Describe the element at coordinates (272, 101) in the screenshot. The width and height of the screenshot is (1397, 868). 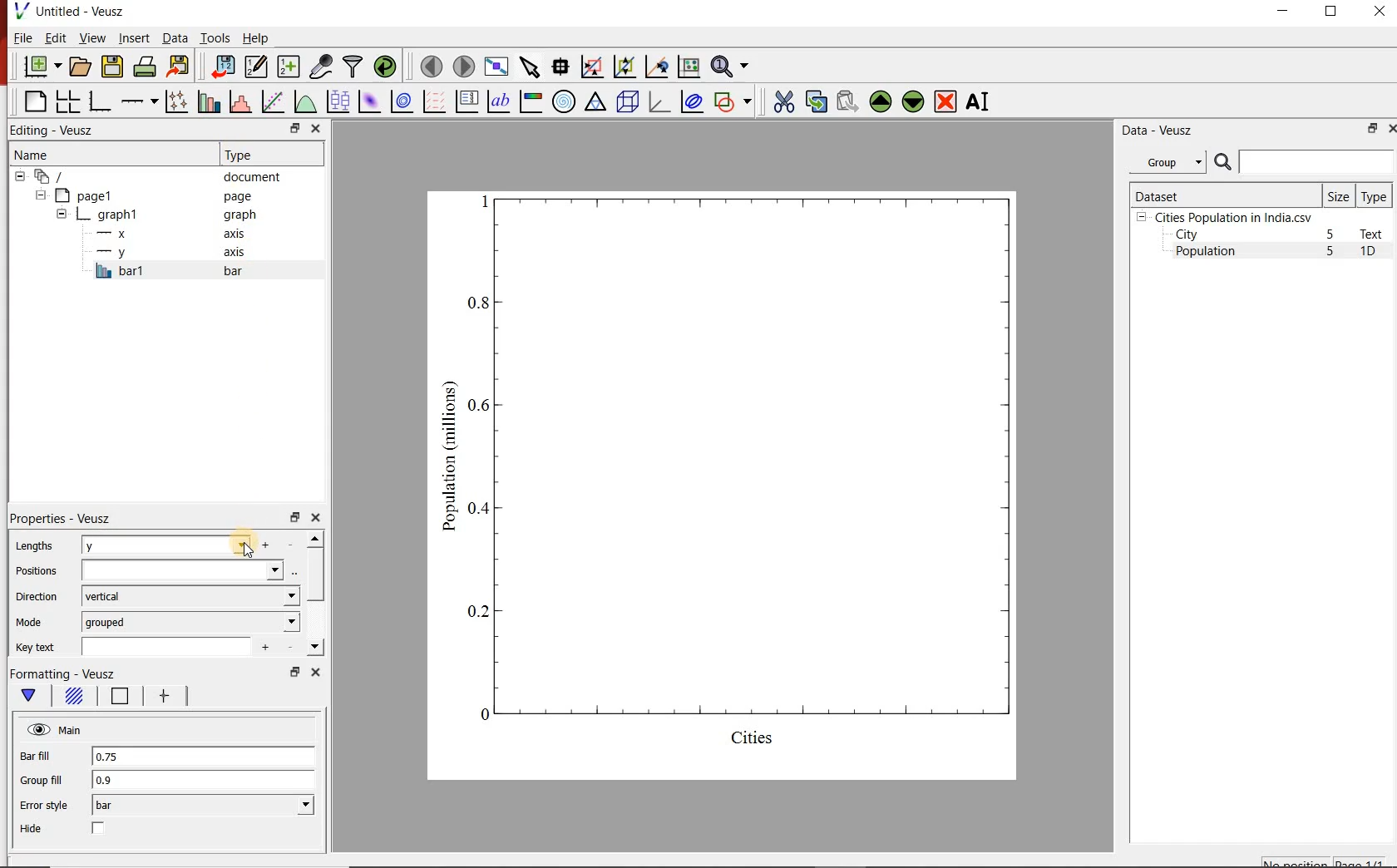
I see `fit a function to data` at that location.